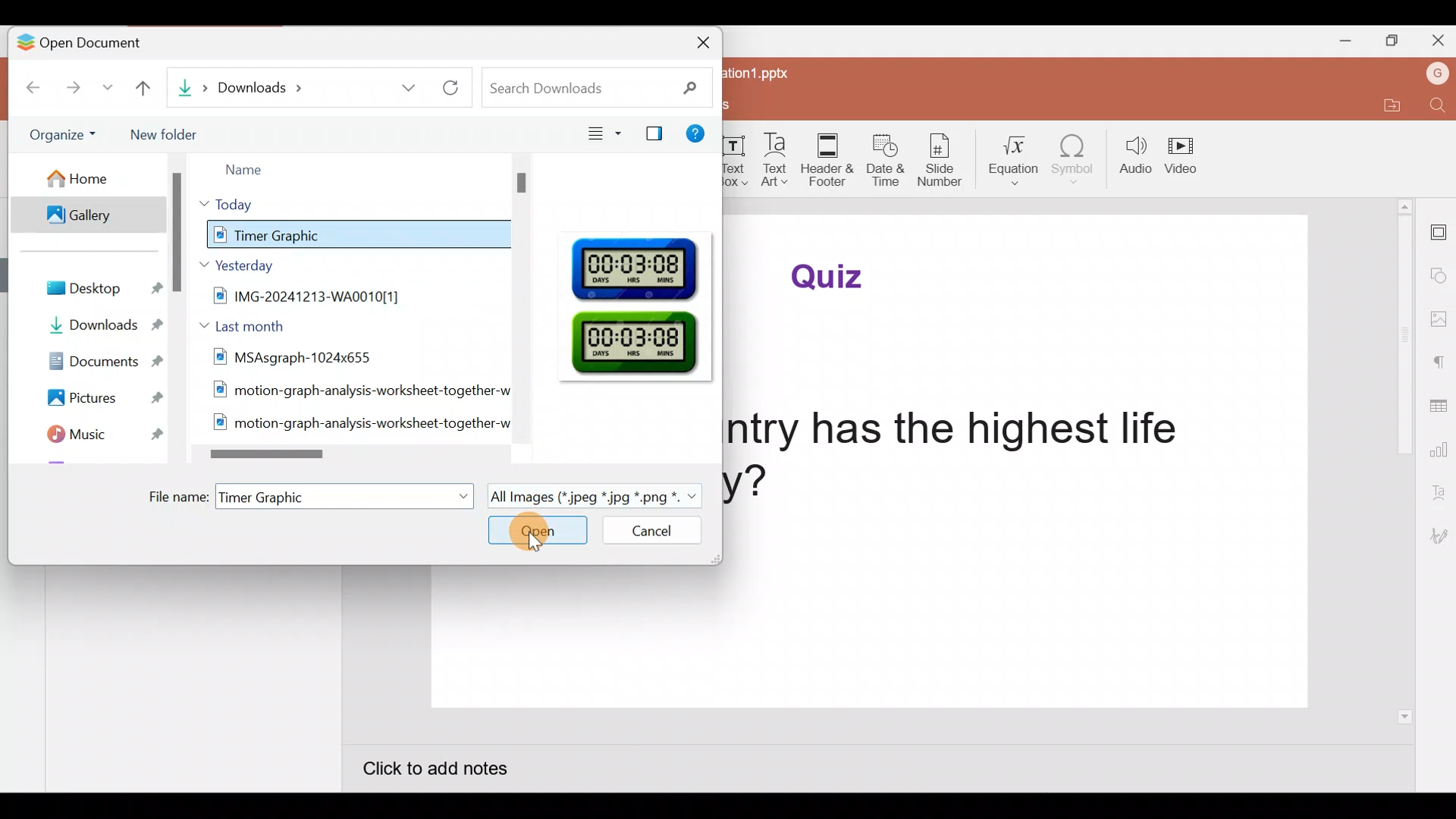 This screenshot has width=1456, height=819. What do you see at coordinates (1434, 74) in the screenshot?
I see `Account name` at bounding box center [1434, 74].